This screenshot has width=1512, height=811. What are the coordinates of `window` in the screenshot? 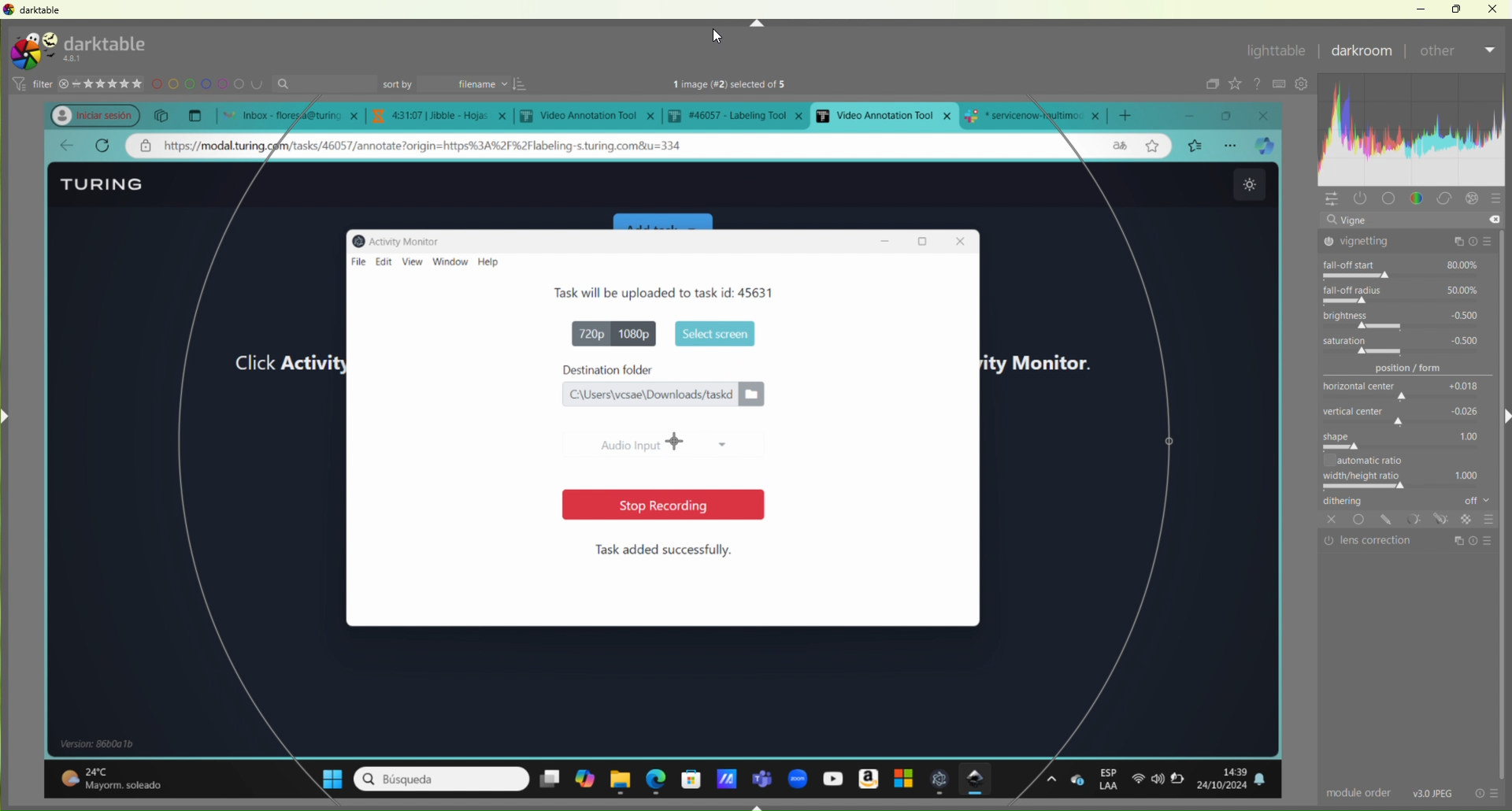 It's located at (451, 262).